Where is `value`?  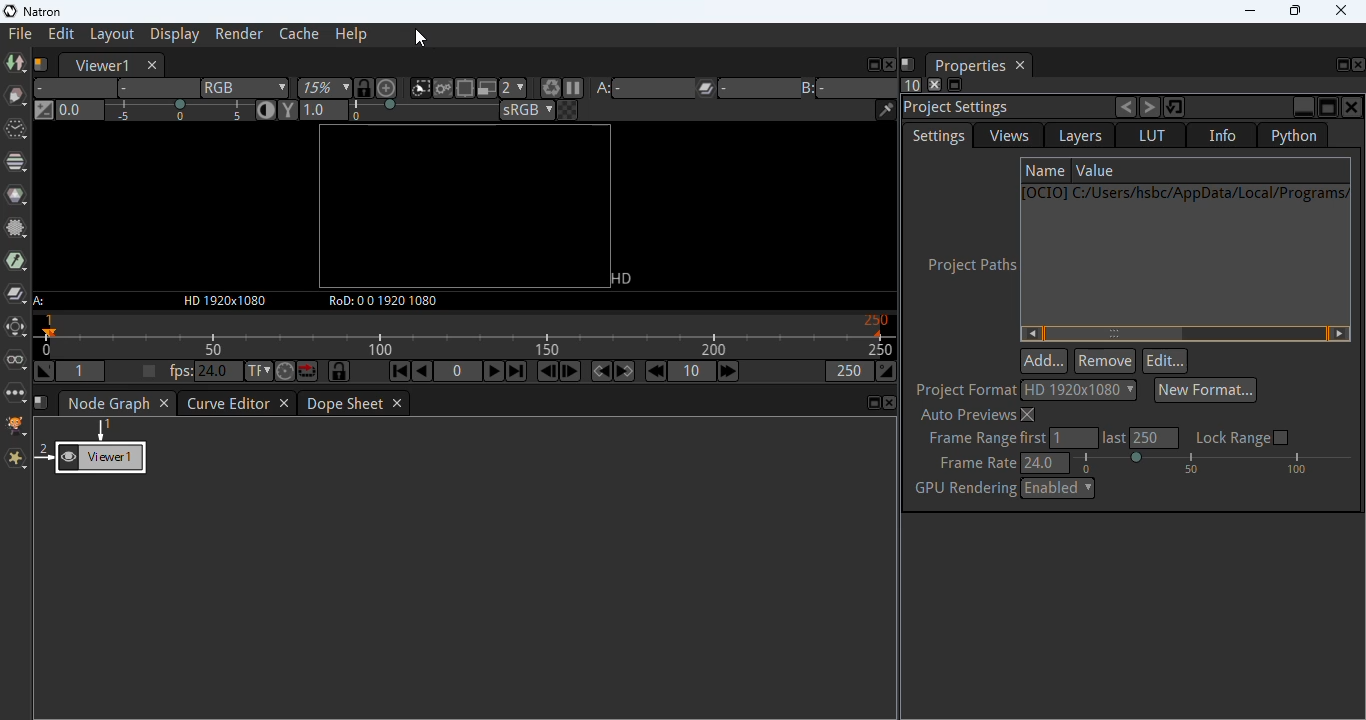
value is located at coordinates (1098, 170).